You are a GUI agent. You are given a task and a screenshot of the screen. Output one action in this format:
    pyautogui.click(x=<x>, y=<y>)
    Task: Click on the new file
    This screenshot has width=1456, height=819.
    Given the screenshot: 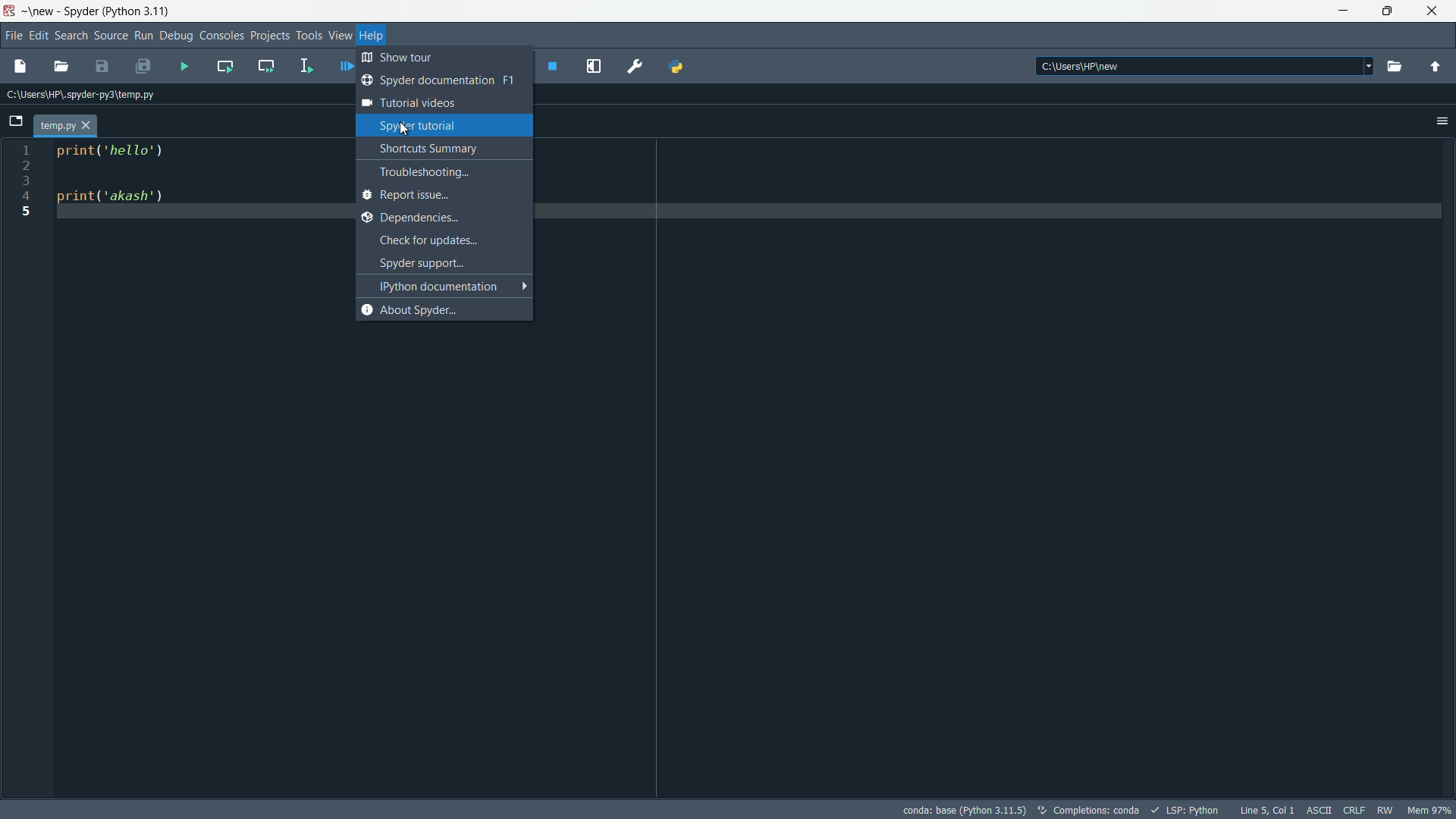 What is the action you would take?
    pyautogui.click(x=20, y=67)
    